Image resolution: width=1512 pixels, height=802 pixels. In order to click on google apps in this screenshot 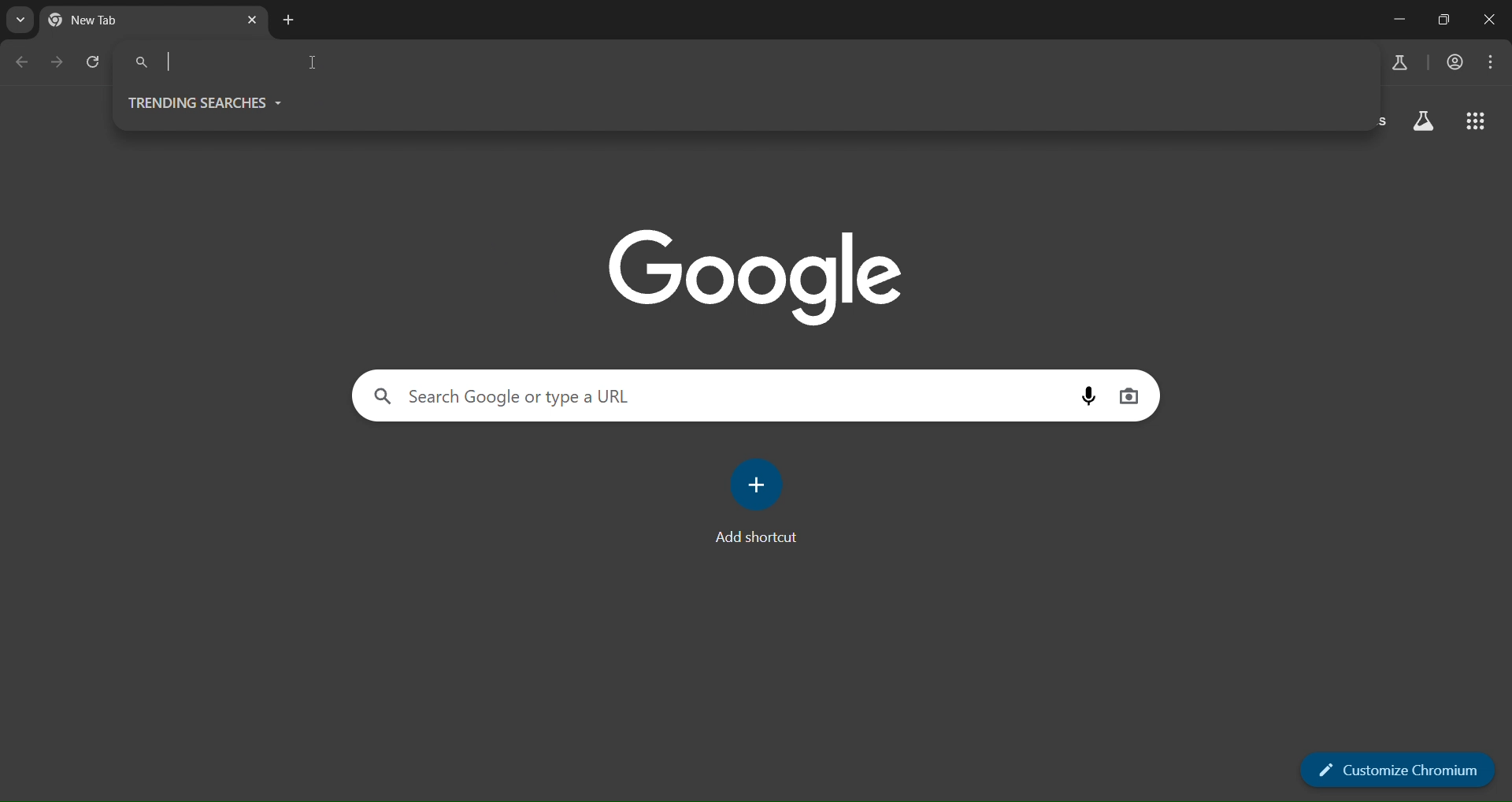, I will do `click(1425, 123)`.